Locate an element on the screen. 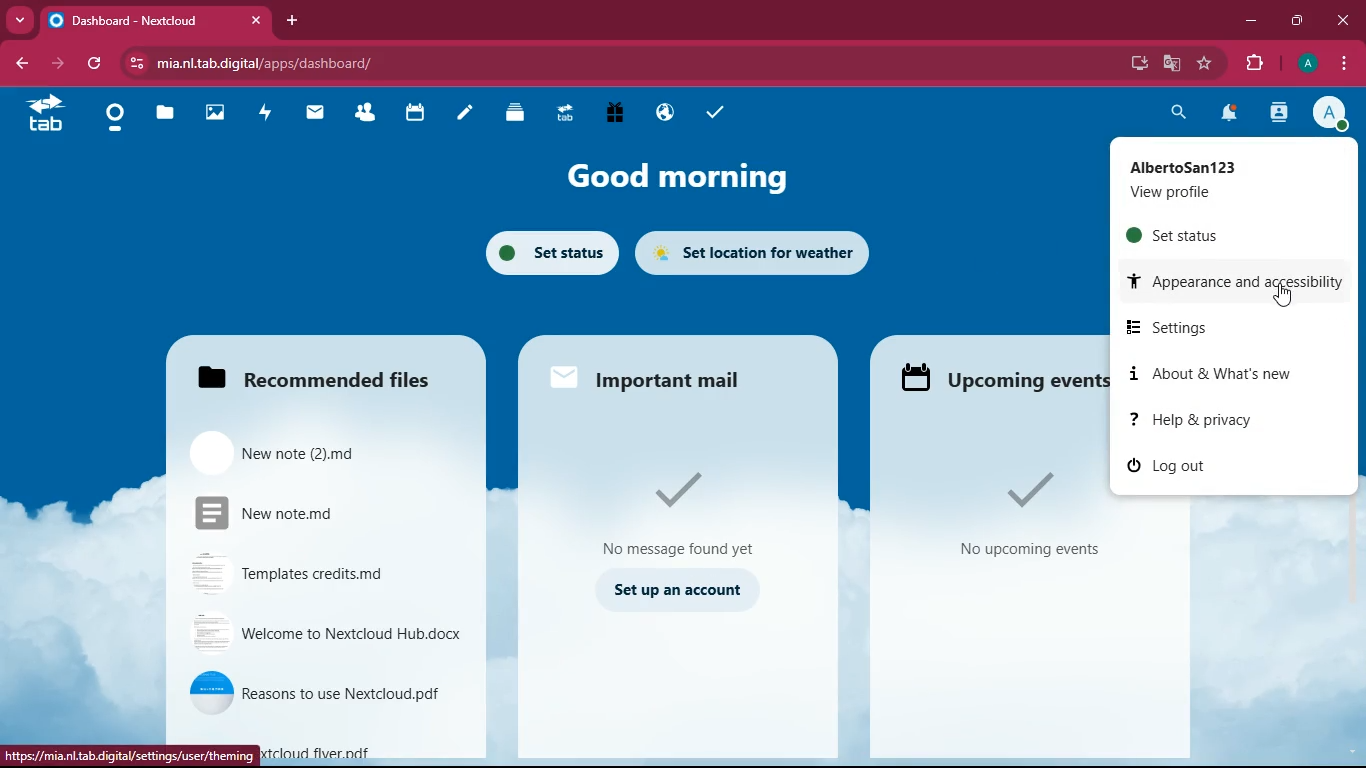  google translate is located at coordinates (1171, 61).